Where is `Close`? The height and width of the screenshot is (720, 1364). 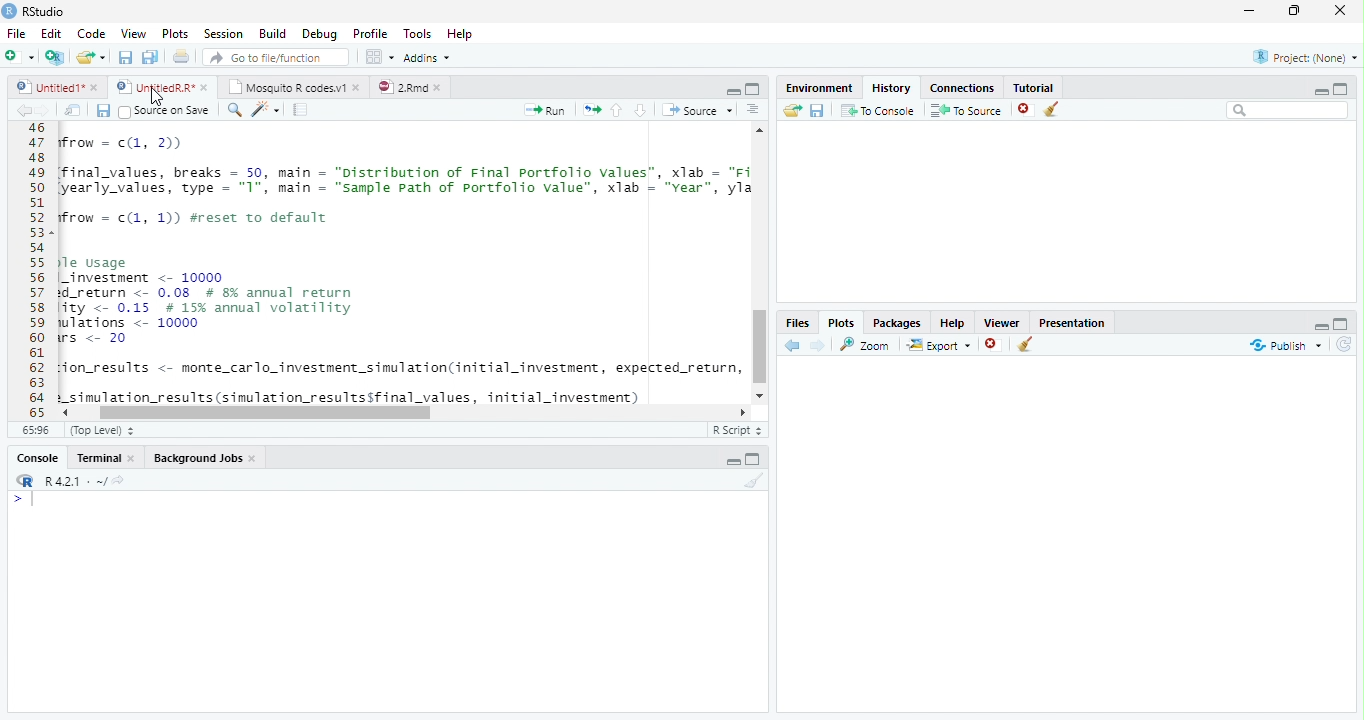
Close is located at coordinates (1342, 12).